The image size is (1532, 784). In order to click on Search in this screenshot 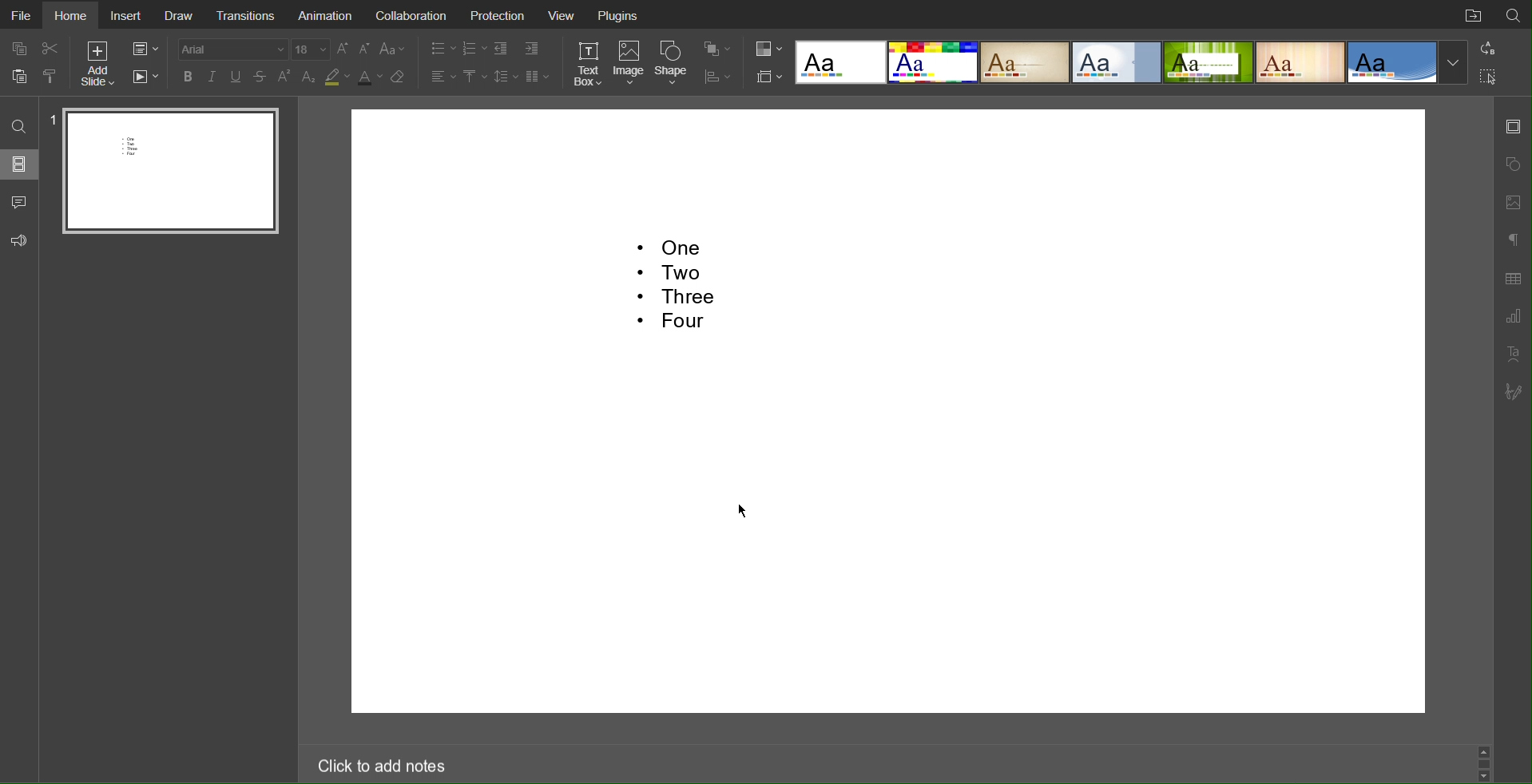, I will do `click(18, 125)`.